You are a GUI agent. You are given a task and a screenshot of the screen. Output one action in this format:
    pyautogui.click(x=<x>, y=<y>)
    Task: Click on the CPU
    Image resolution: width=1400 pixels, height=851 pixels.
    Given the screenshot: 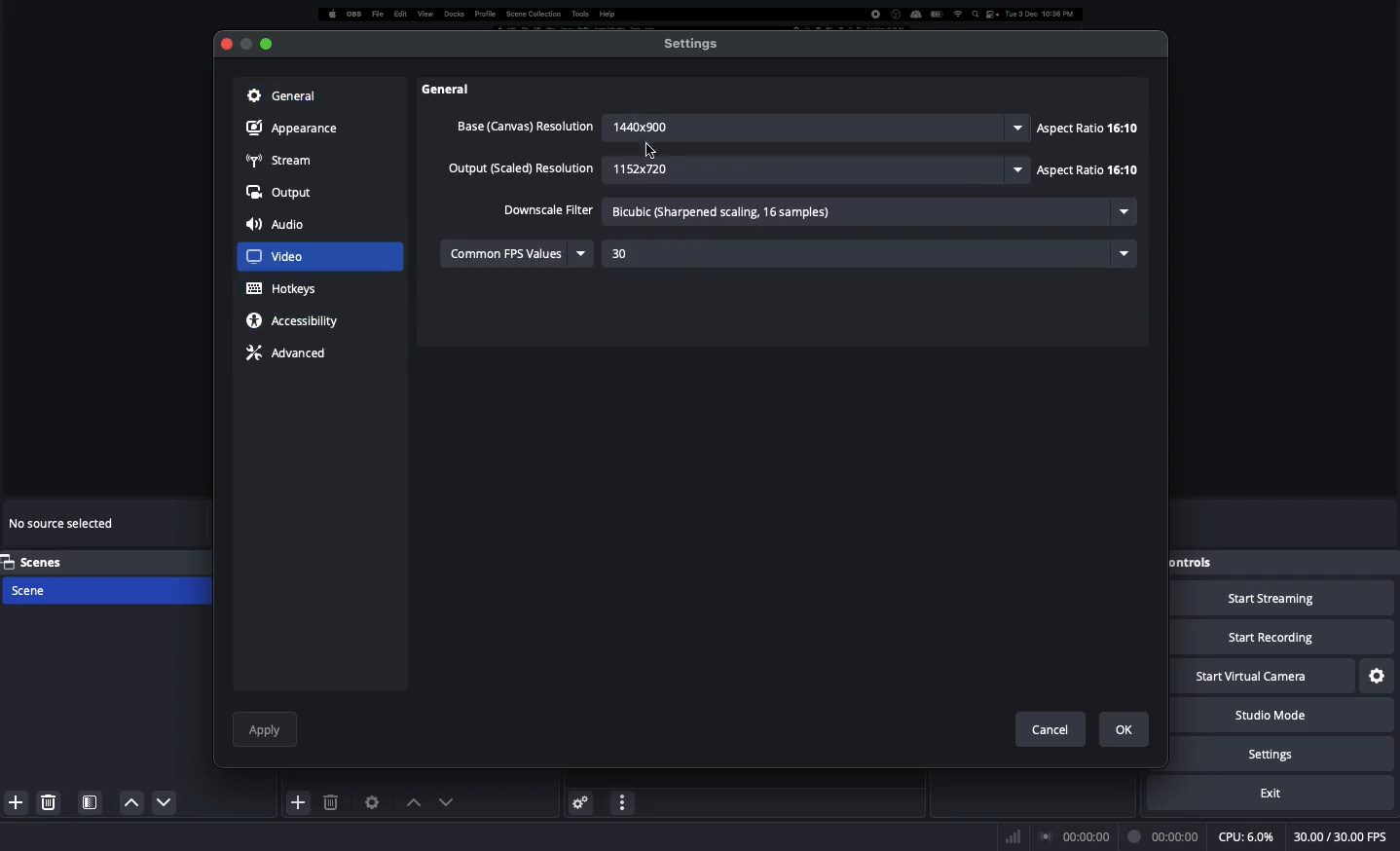 What is the action you would take?
    pyautogui.click(x=1245, y=837)
    